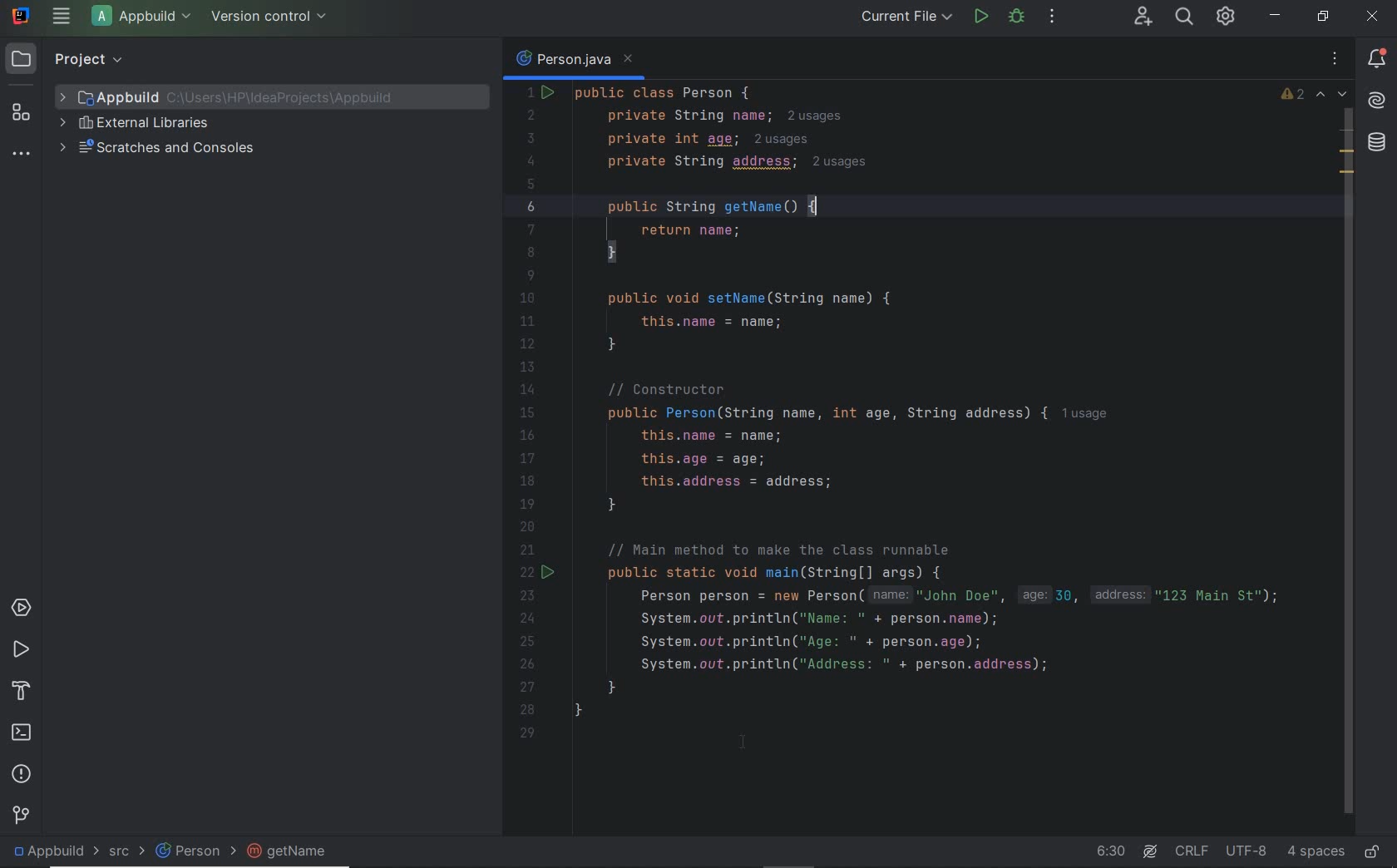 This screenshot has height=868, width=1397. What do you see at coordinates (1332, 96) in the screenshot?
I see `previous and next highlighted problems` at bounding box center [1332, 96].